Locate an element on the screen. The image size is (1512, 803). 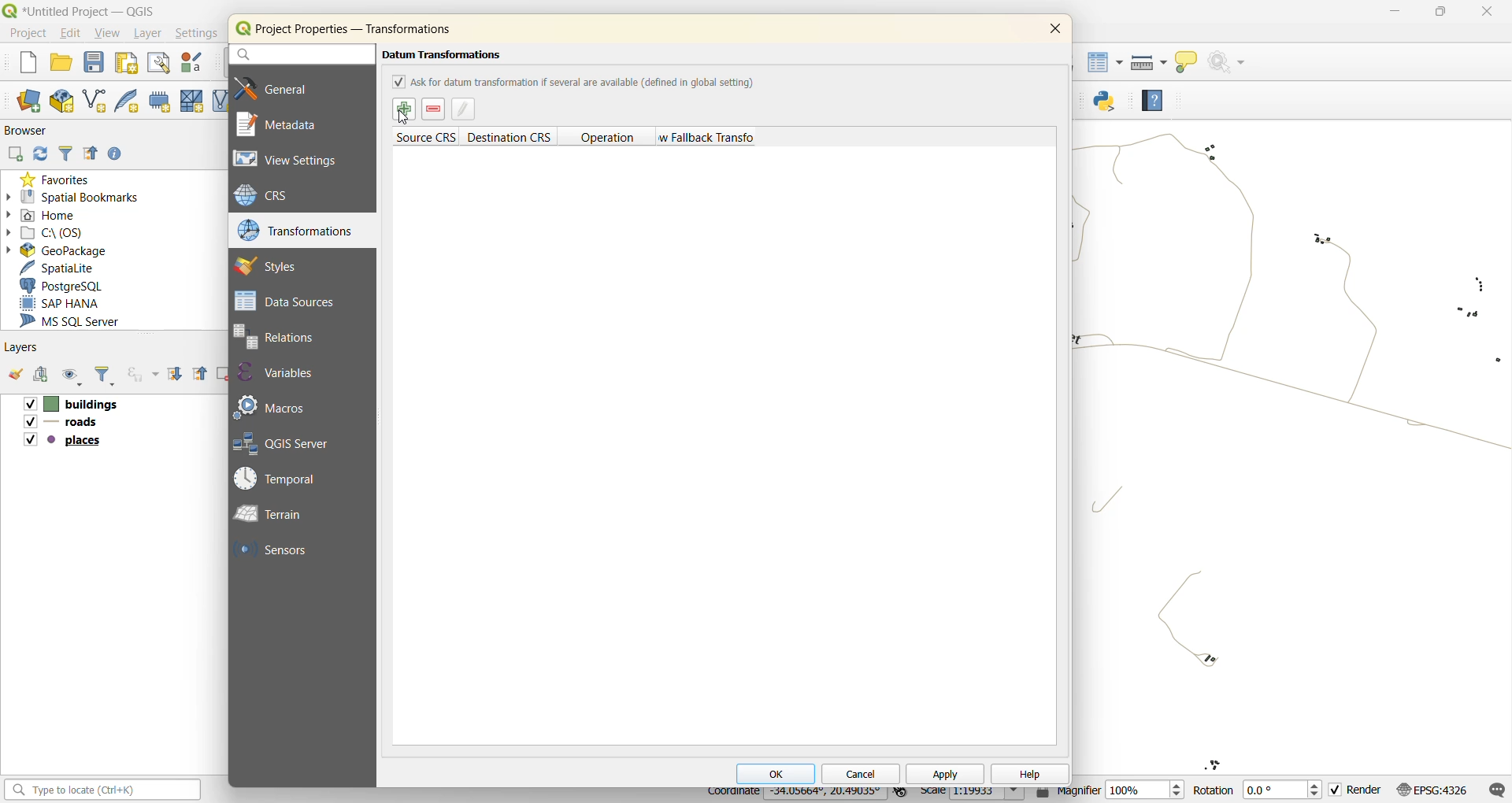
add is located at coordinates (14, 155).